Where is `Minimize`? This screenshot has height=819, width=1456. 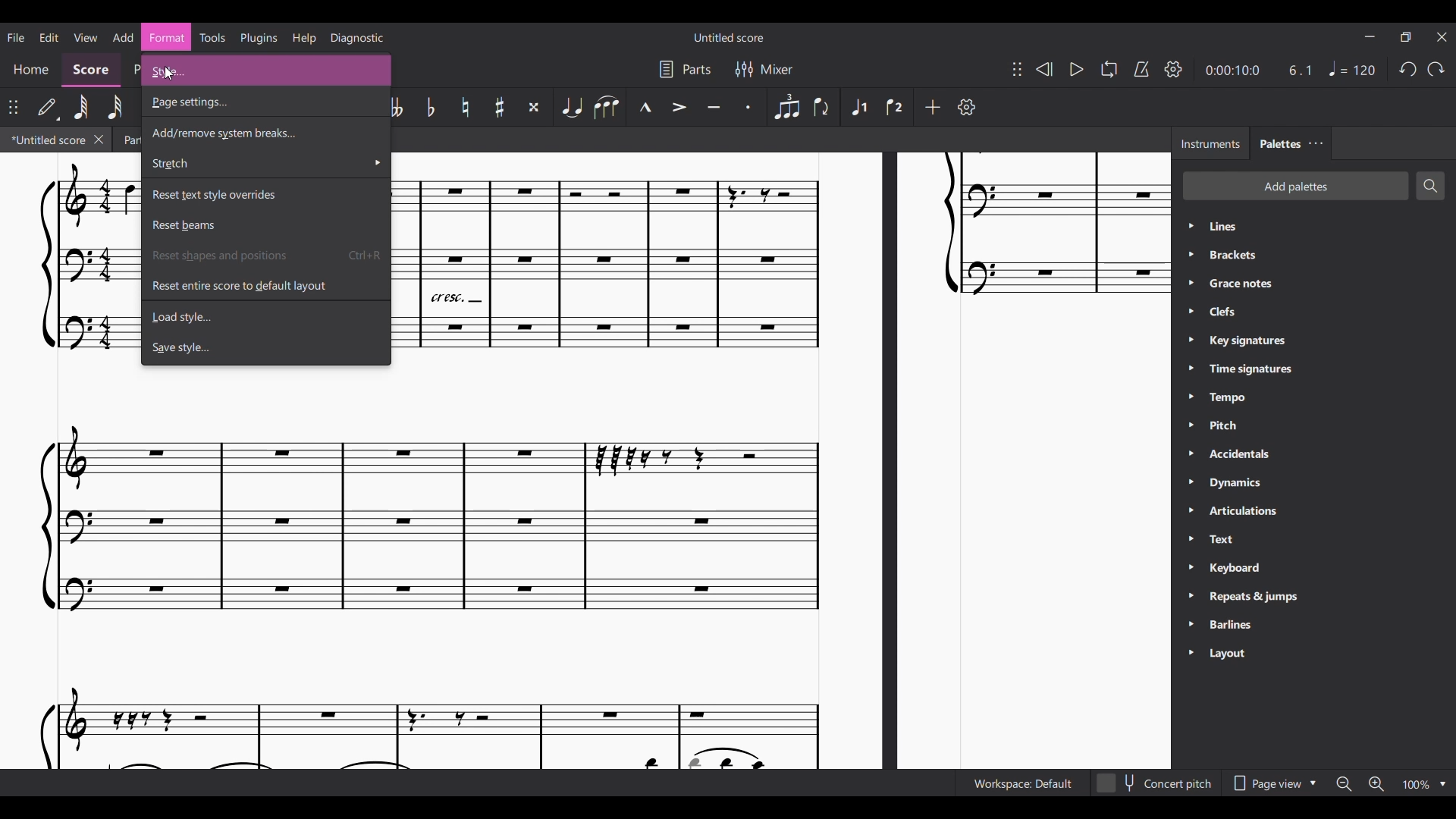 Minimize is located at coordinates (1370, 36).